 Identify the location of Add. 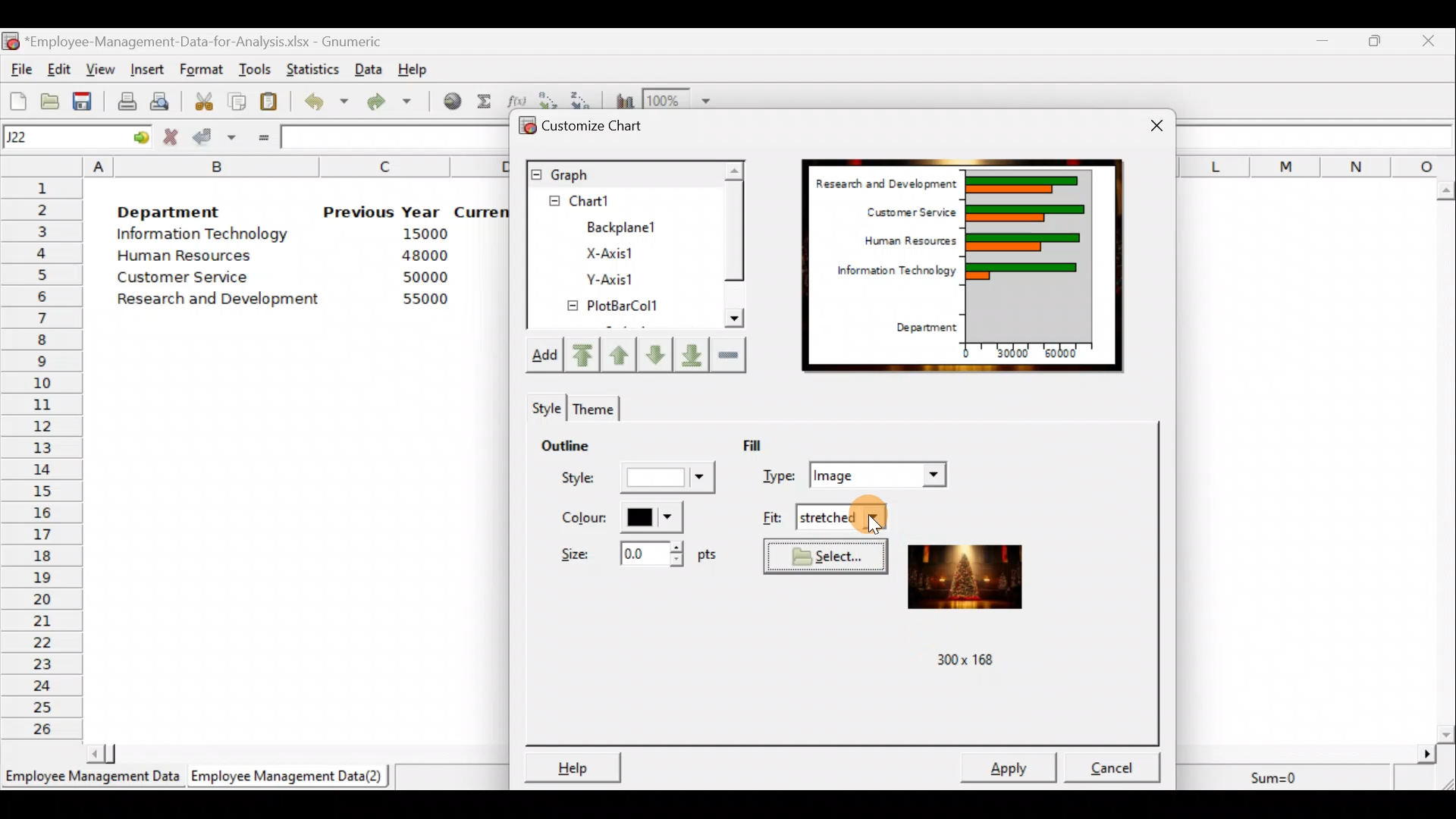
(549, 356).